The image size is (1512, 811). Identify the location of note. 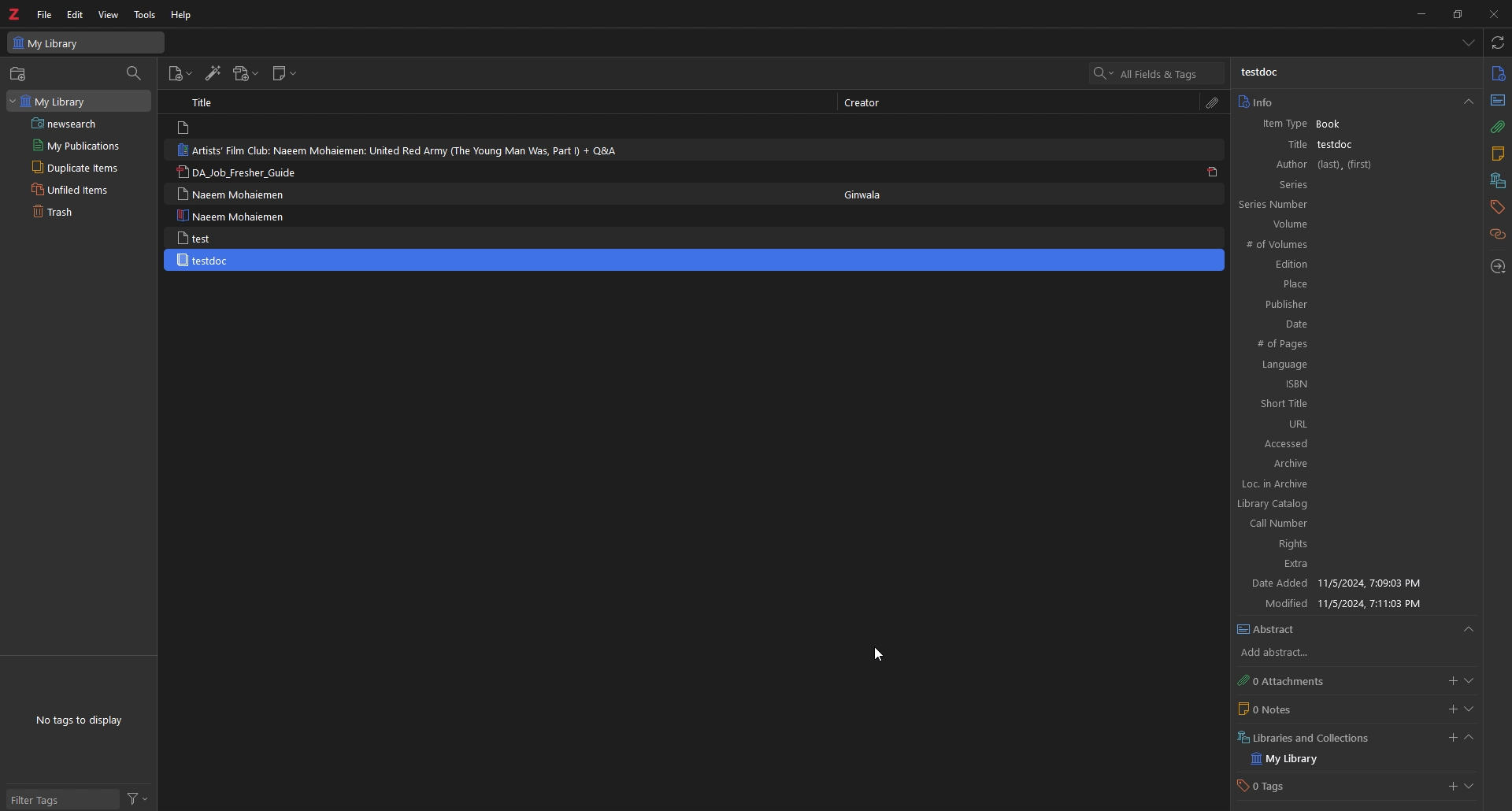
(1497, 156).